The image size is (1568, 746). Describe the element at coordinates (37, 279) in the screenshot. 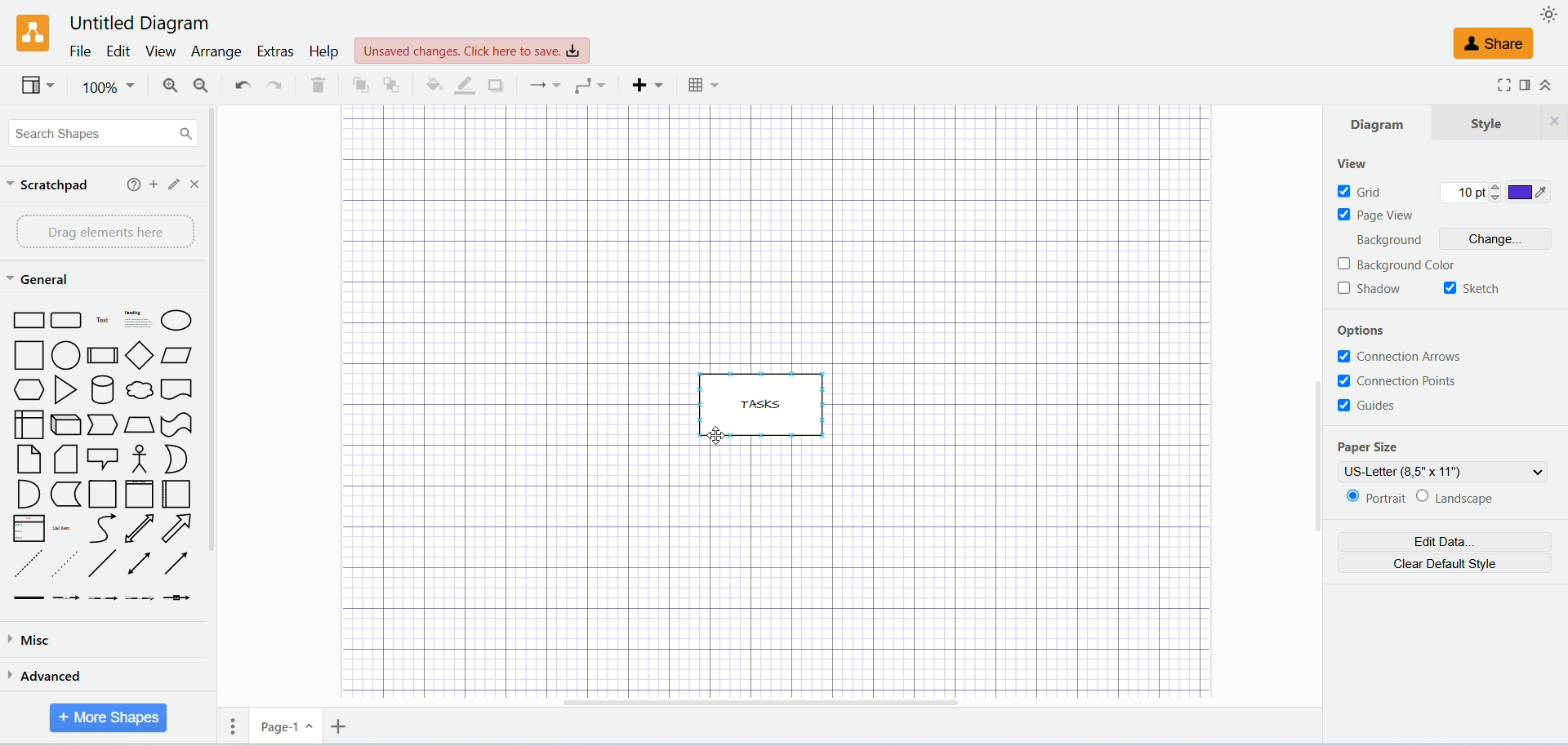

I see `general` at that location.